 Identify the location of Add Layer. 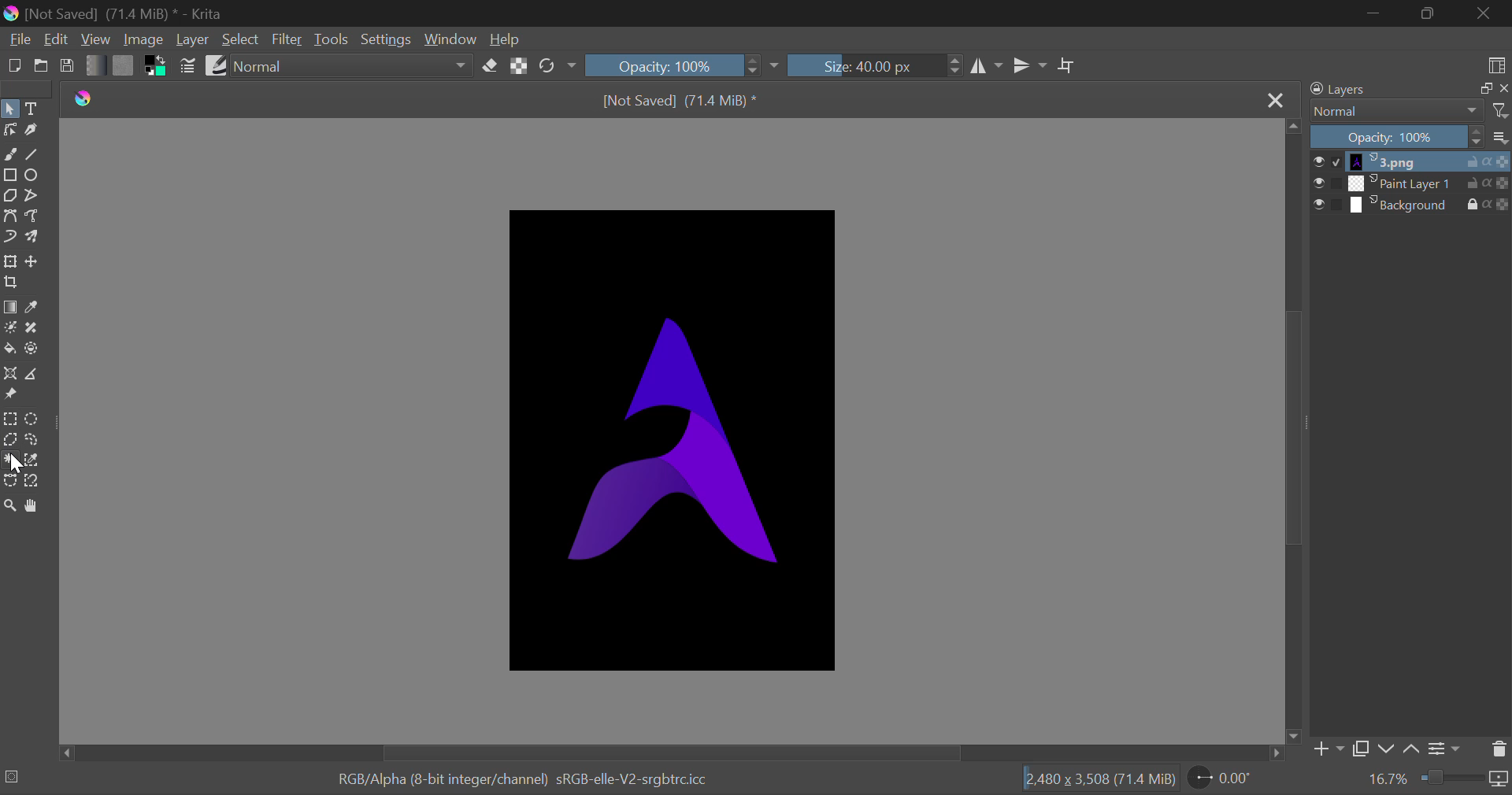
(1328, 749).